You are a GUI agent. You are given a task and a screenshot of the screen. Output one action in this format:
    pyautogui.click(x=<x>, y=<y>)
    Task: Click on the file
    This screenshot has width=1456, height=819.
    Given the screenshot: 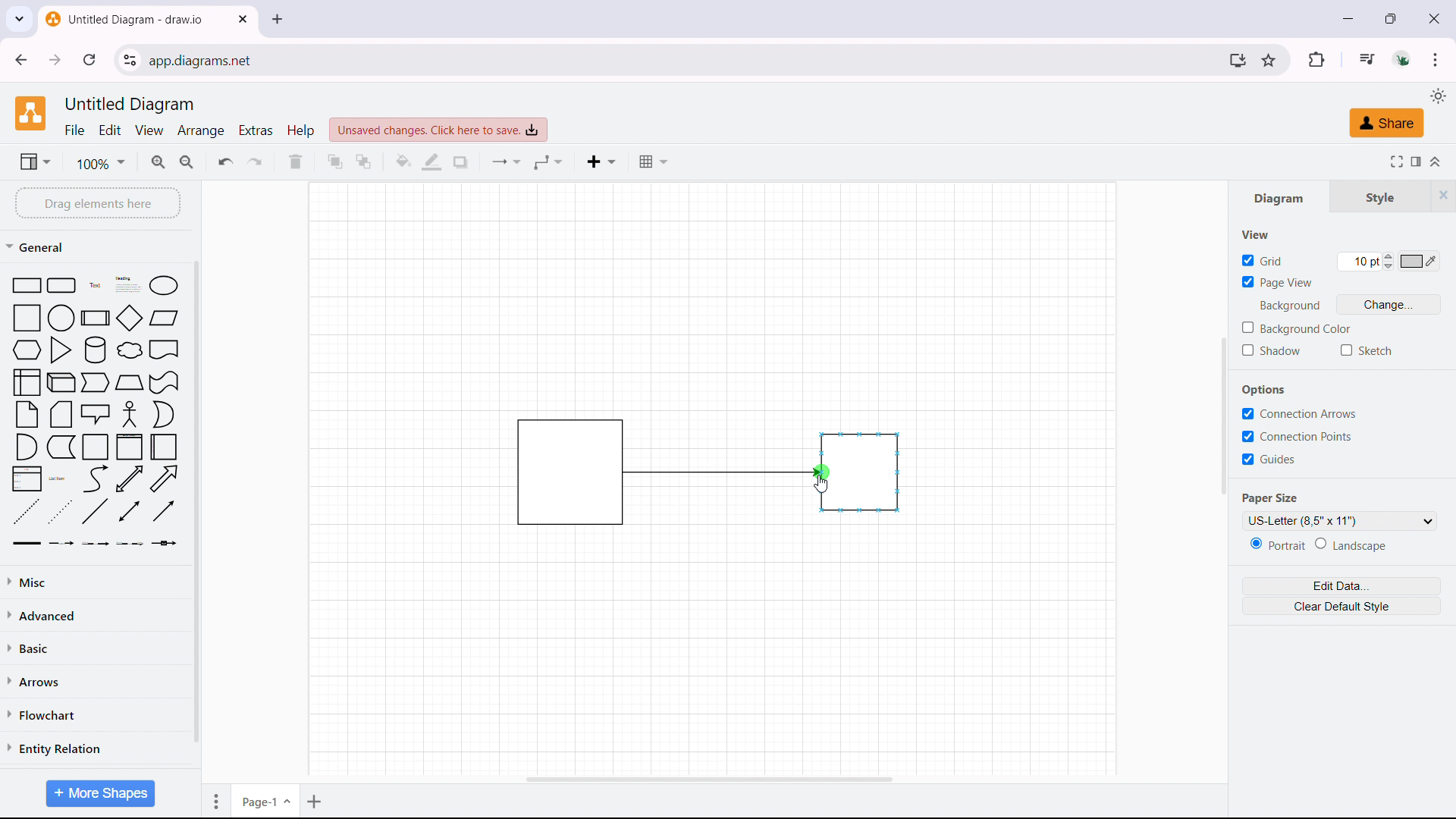 What is the action you would take?
    pyautogui.click(x=75, y=130)
    